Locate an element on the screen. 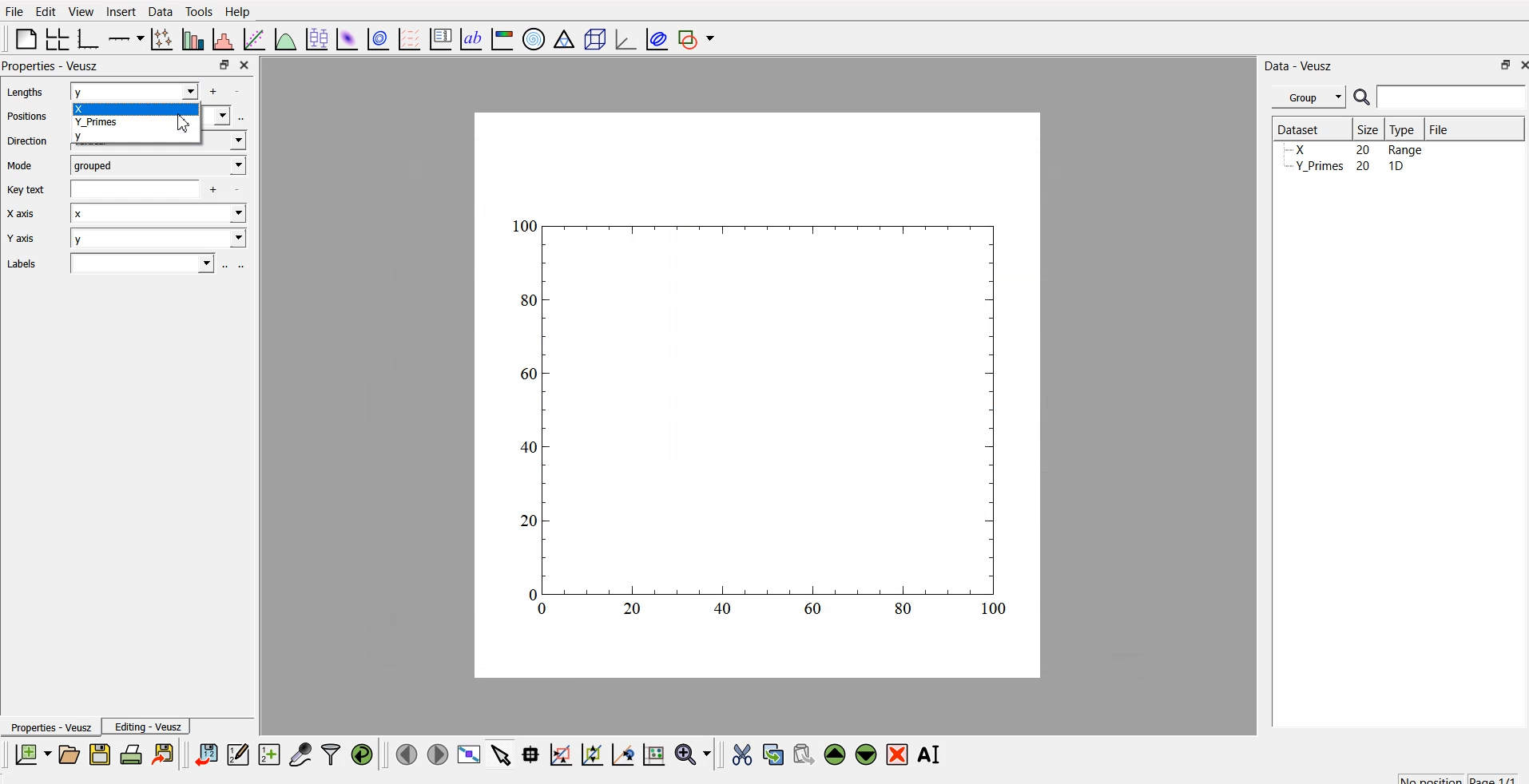  zoom menu is located at coordinates (693, 754).